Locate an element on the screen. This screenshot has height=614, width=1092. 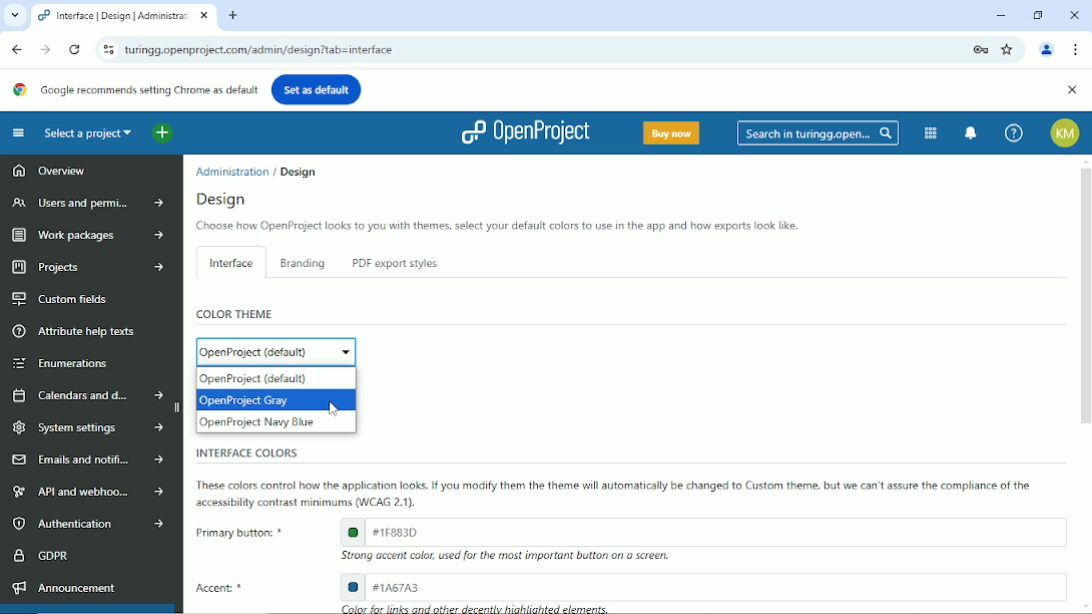
Overview is located at coordinates (48, 173).